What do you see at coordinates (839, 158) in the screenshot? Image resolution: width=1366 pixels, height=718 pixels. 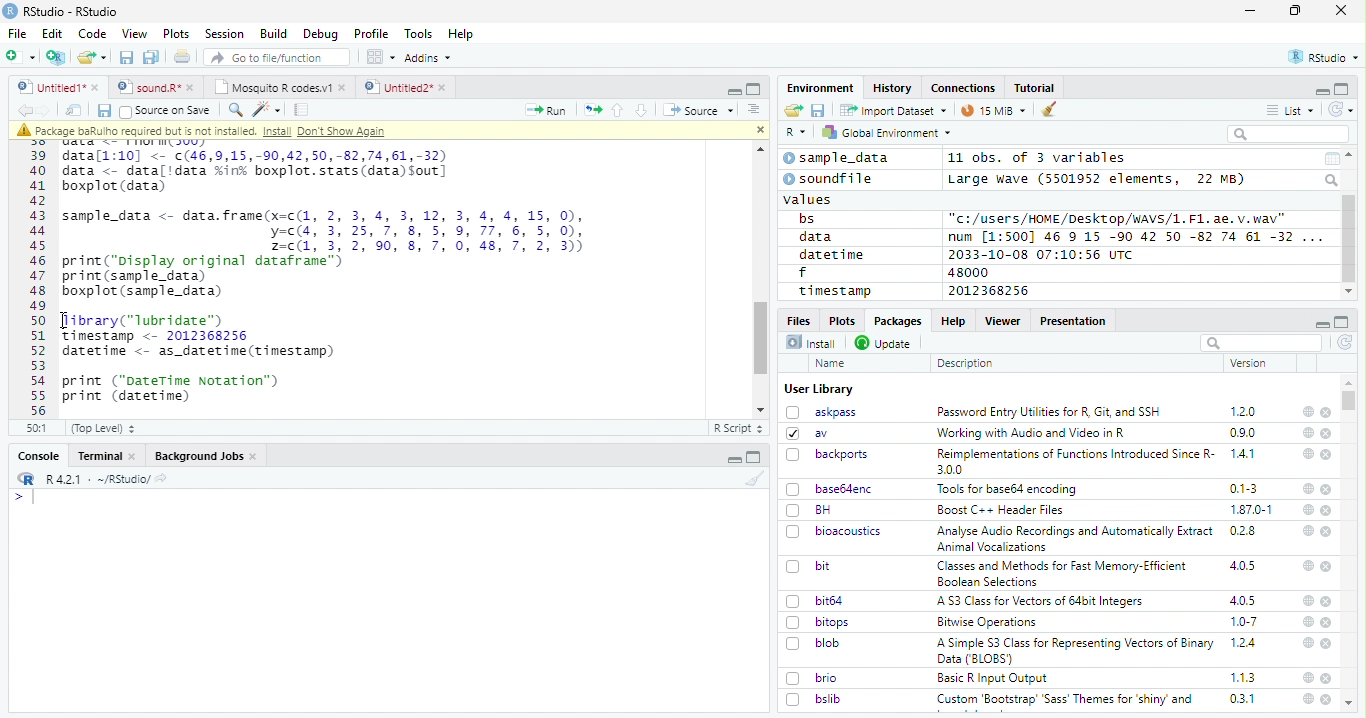 I see `sample_data` at bounding box center [839, 158].